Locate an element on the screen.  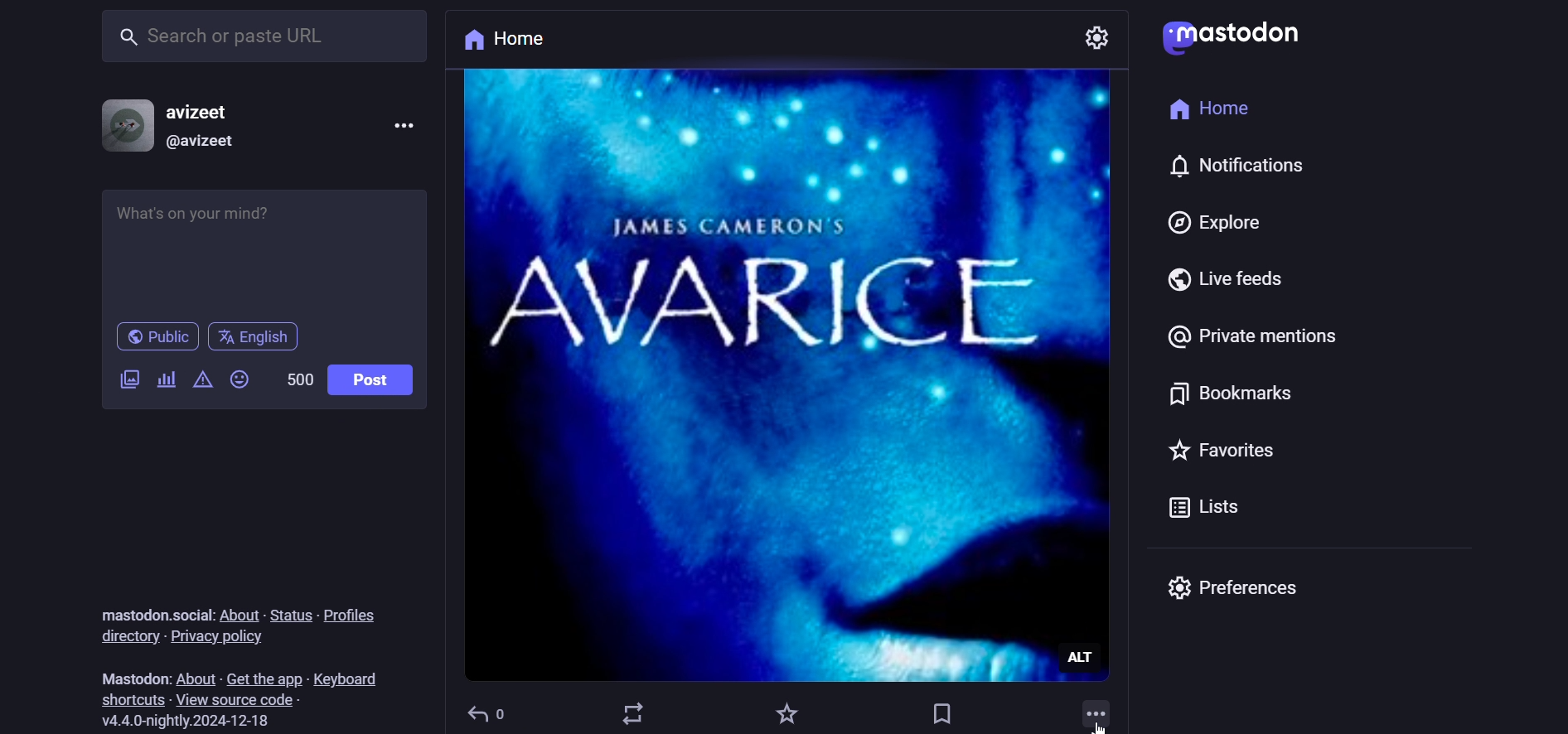
profile picture is located at coordinates (124, 122).